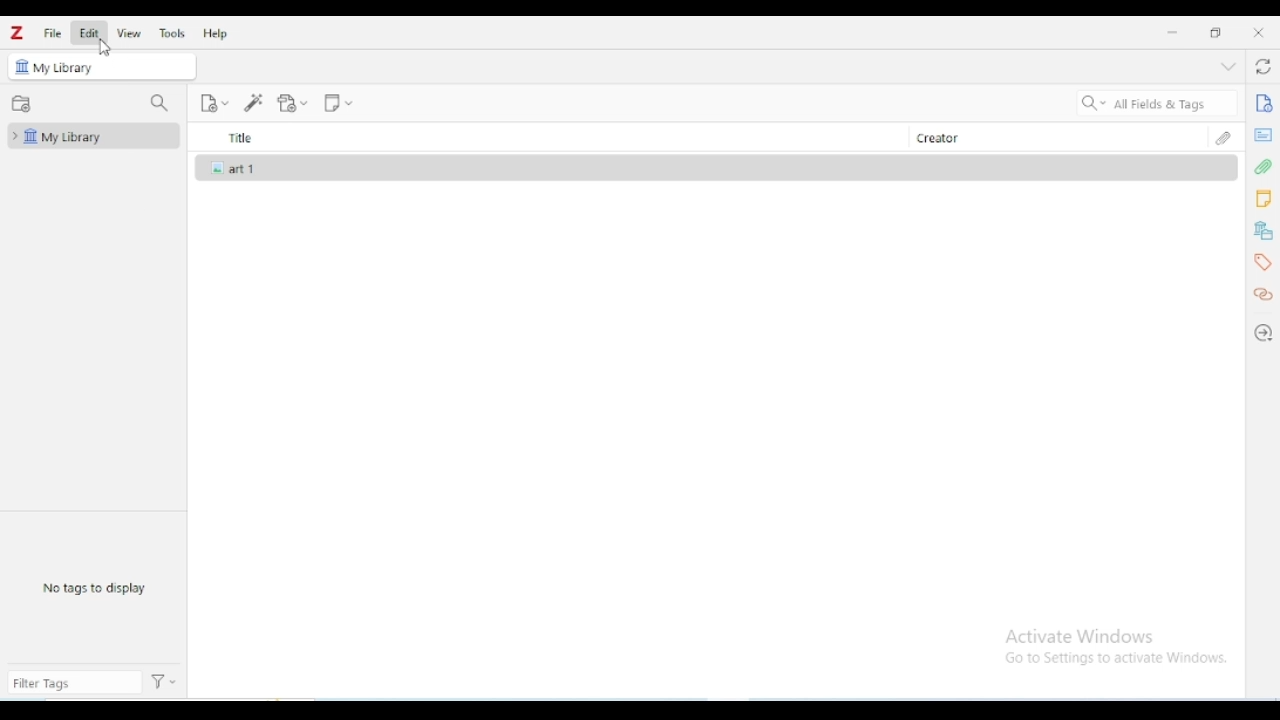 This screenshot has width=1280, height=720. What do you see at coordinates (1226, 136) in the screenshot?
I see `attachments` at bounding box center [1226, 136].